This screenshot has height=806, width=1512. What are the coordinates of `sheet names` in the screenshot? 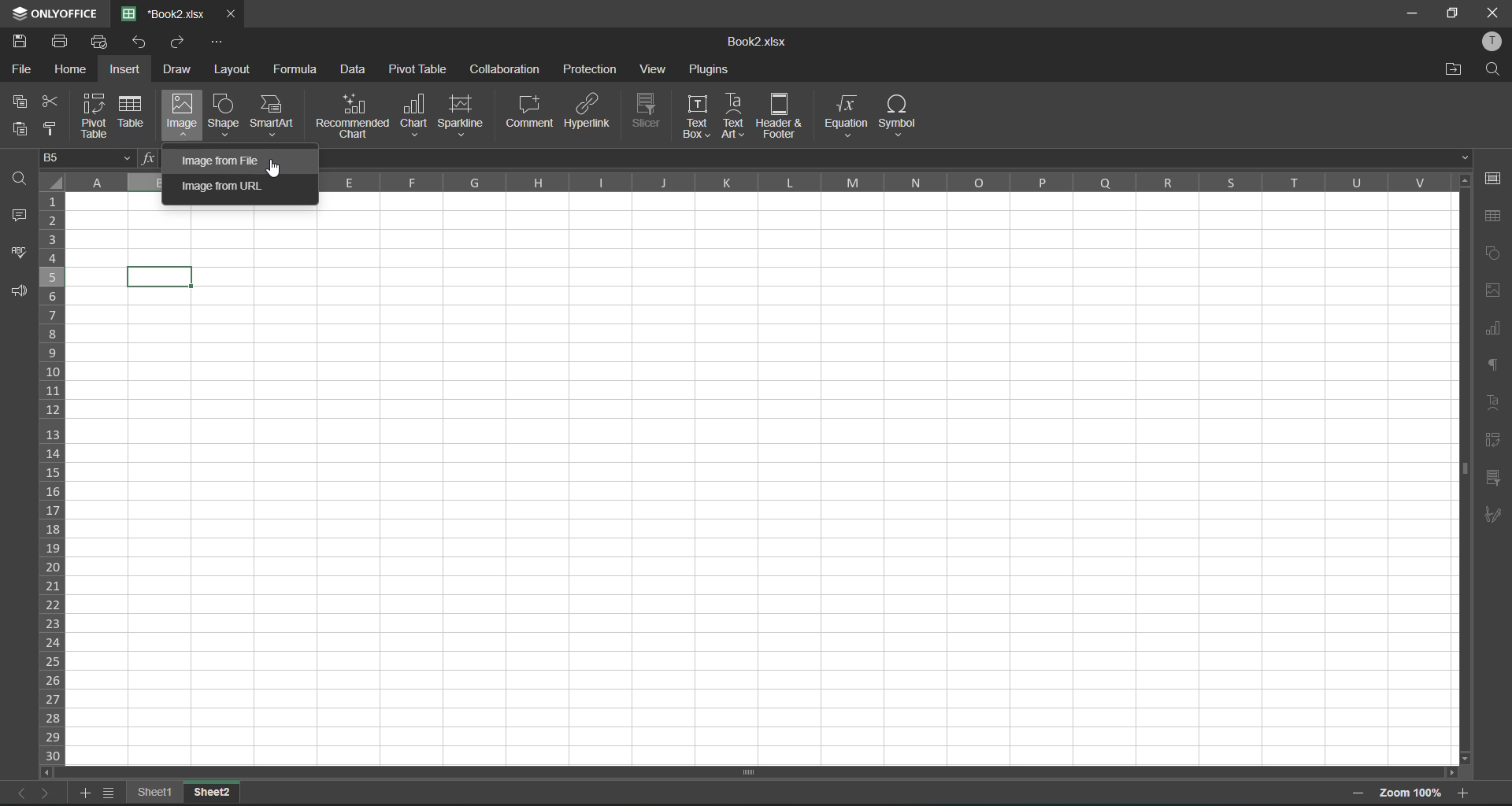 It's located at (160, 791).